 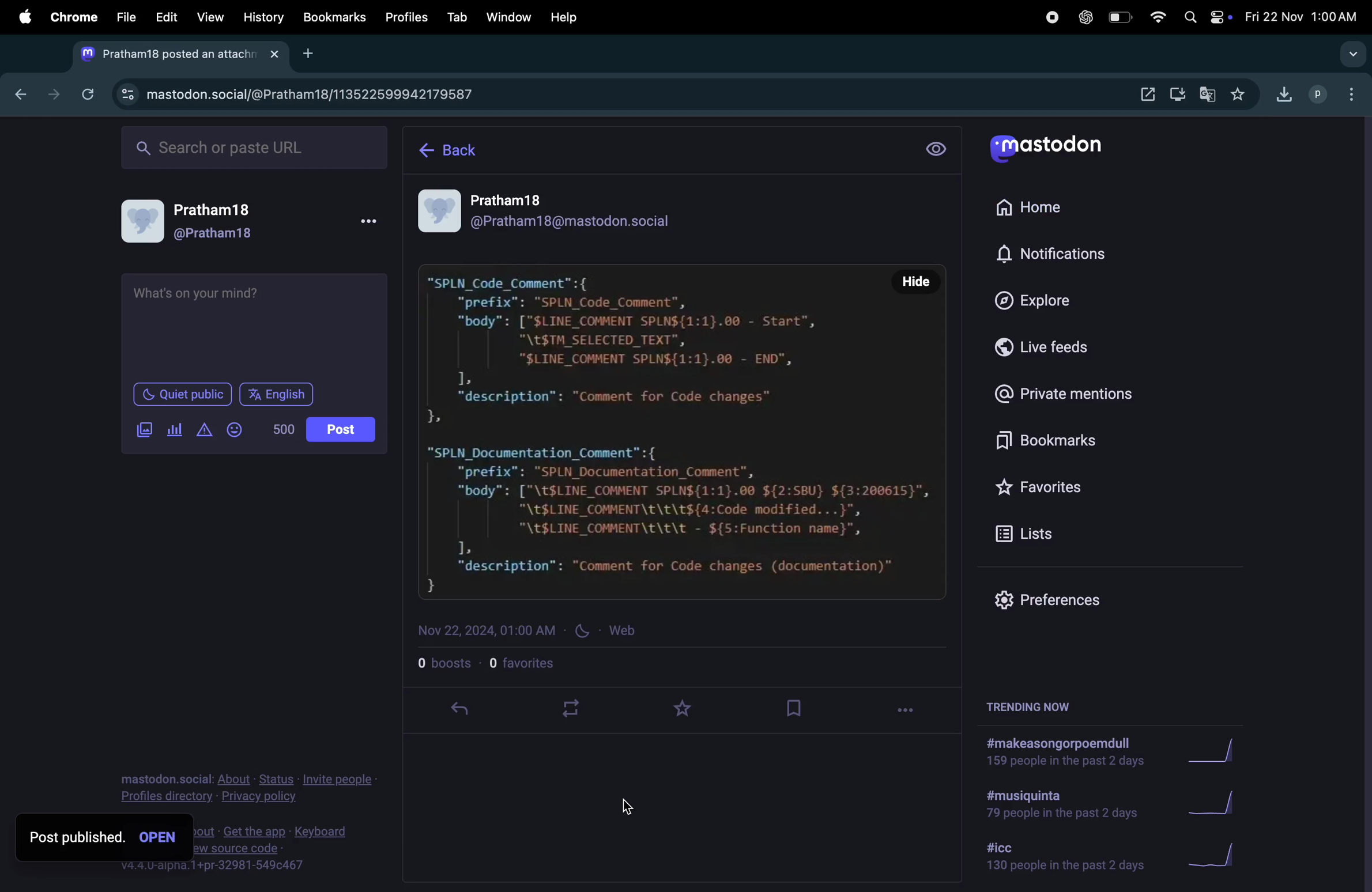 I want to click on tab mastodon, so click(x=167, y=55).